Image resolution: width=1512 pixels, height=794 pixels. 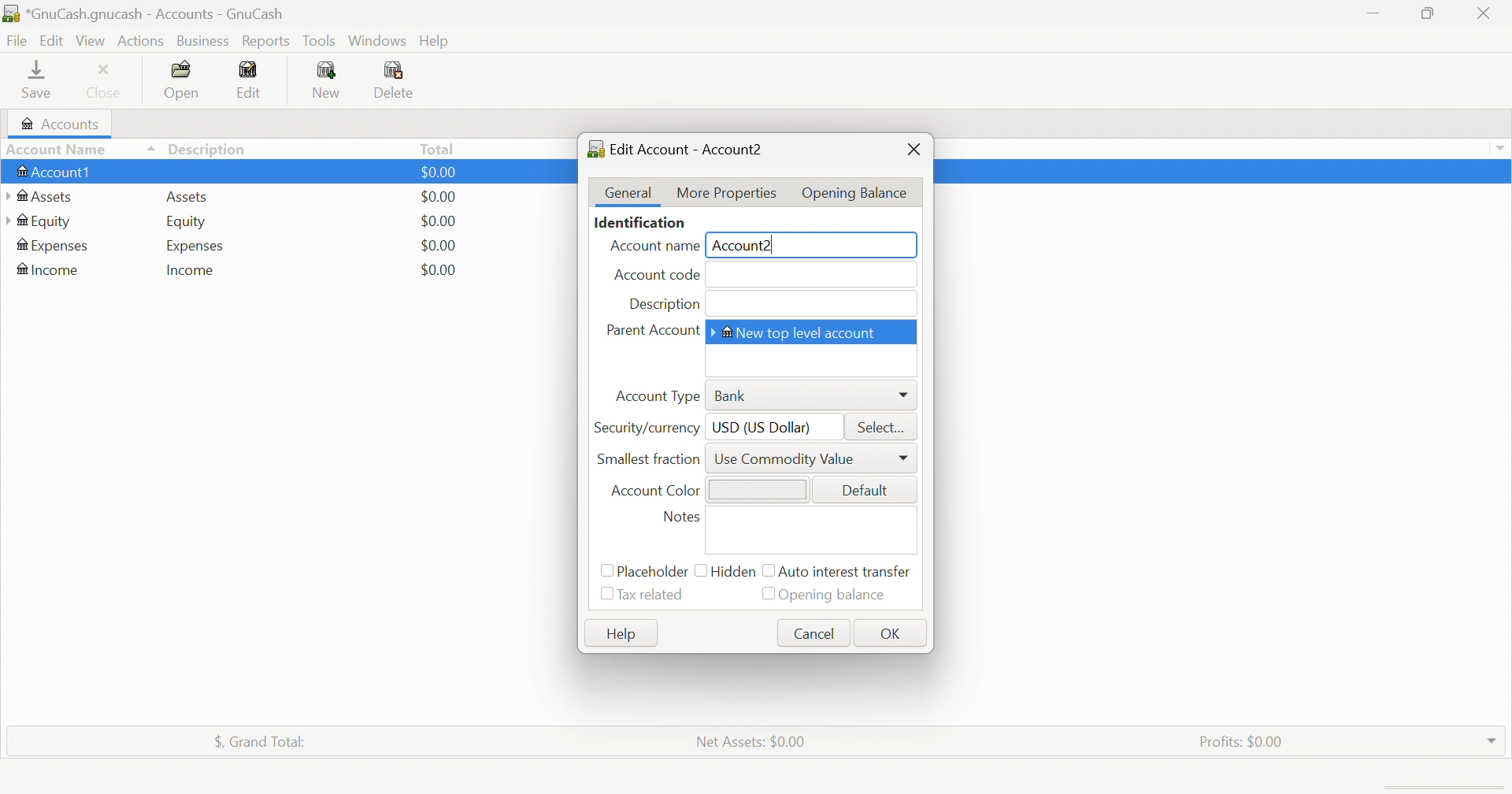 What do you see at coordinates (854, 191) in the screenshot?
I see `Opening Balance` at bounding box center [854, 191].